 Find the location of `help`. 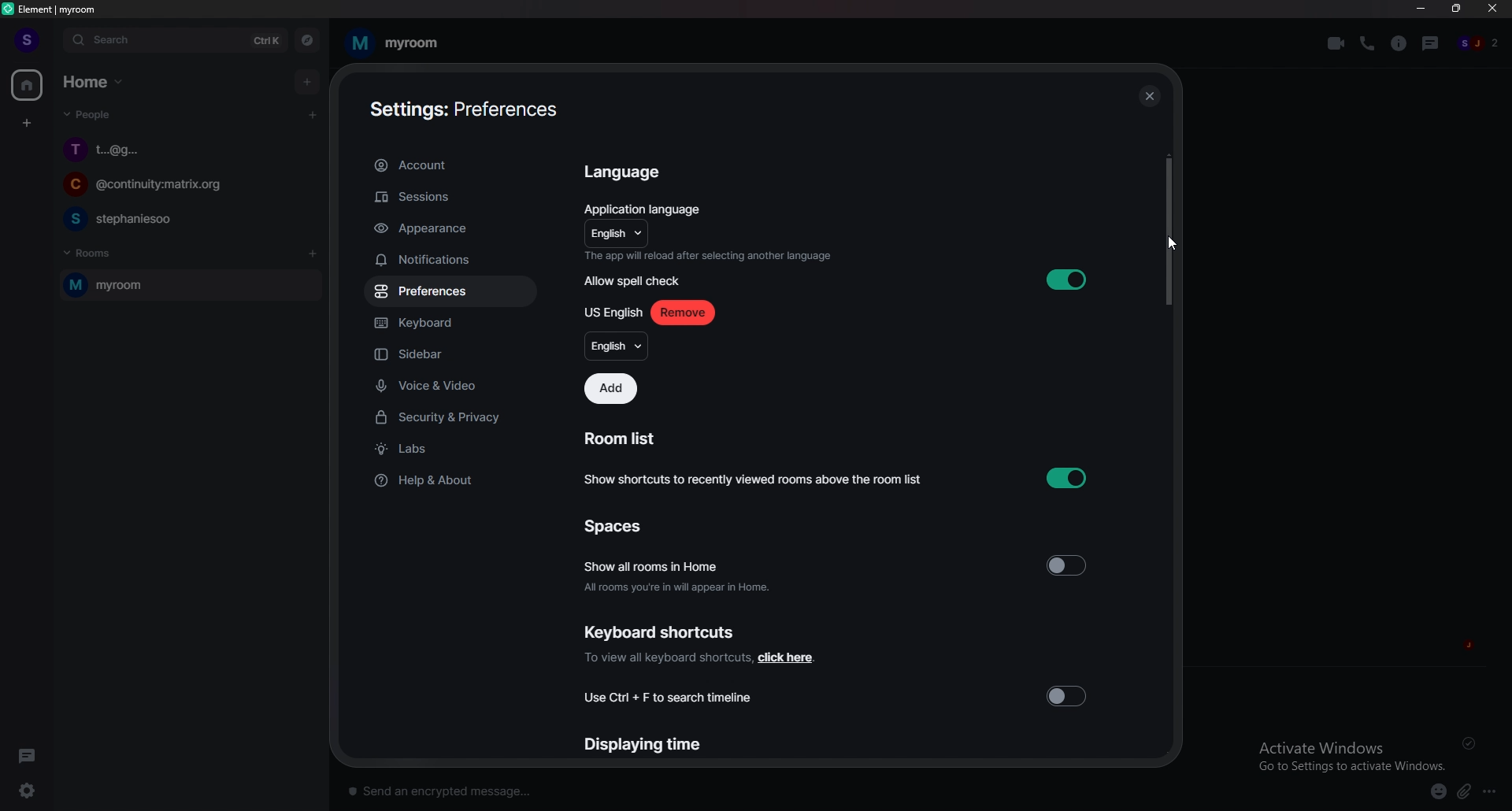

help is located at coordinates (449, 480).